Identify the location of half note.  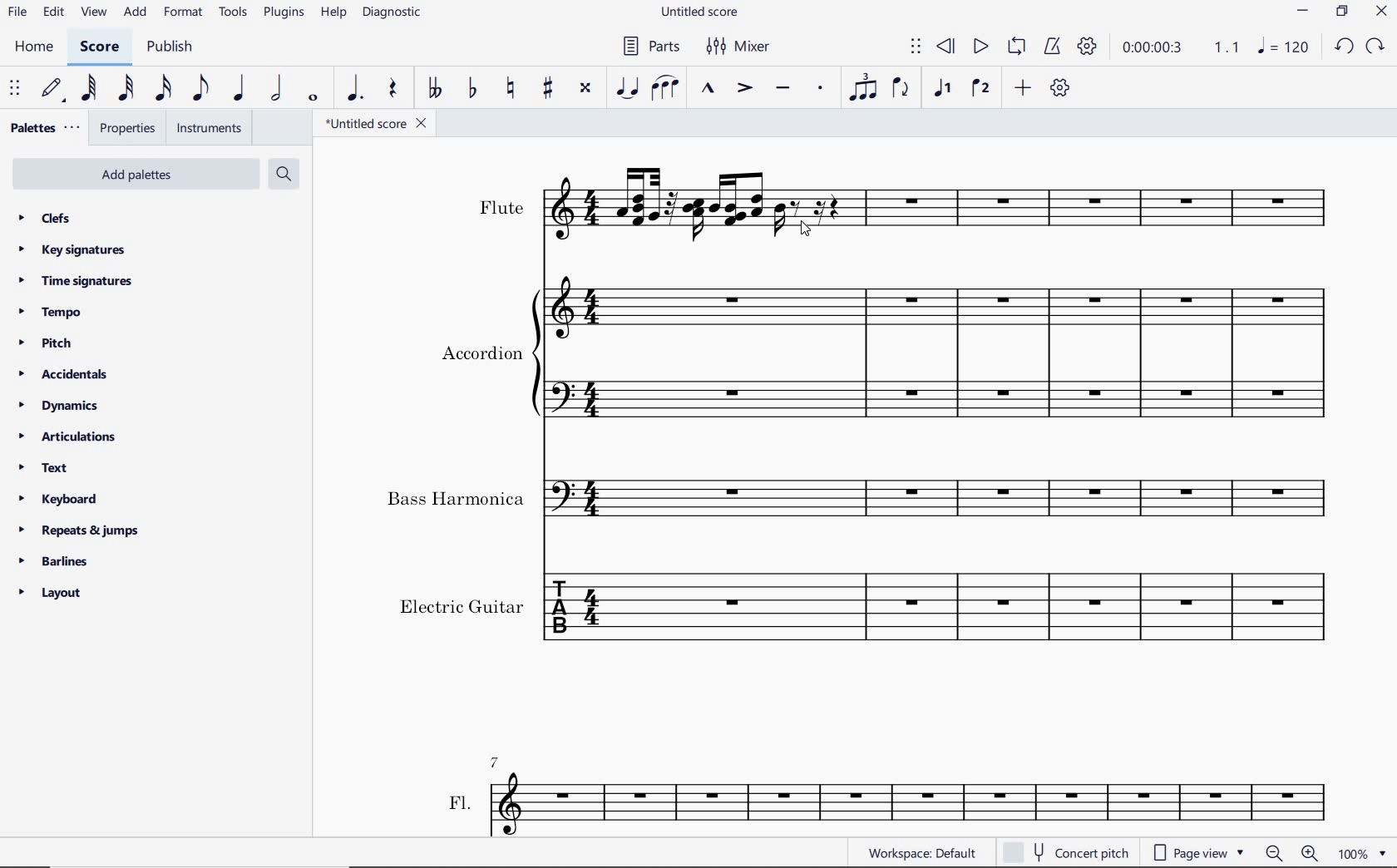
(276, 89).